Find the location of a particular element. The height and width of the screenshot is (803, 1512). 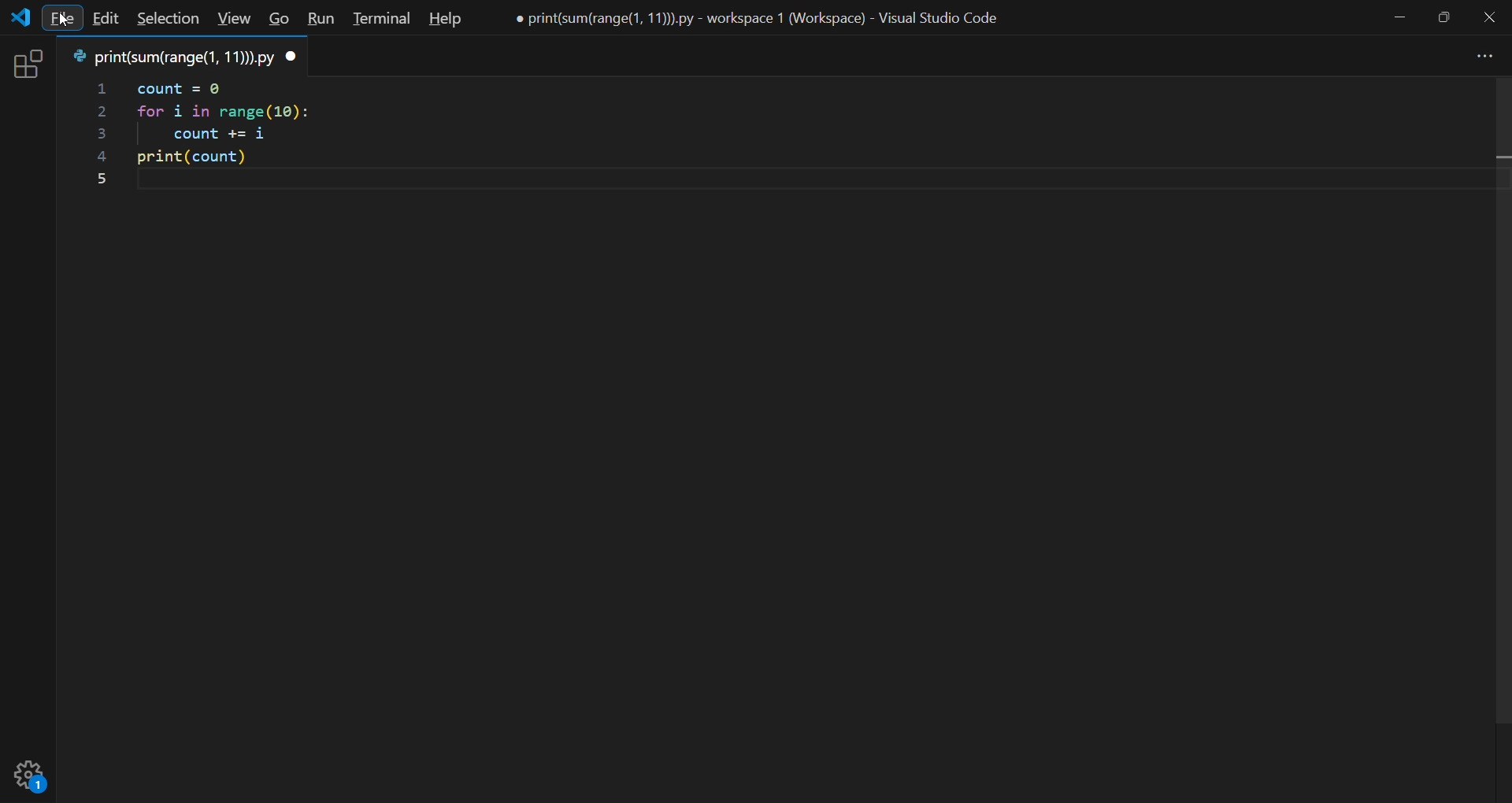

more is located at coordinates (1479, 57).